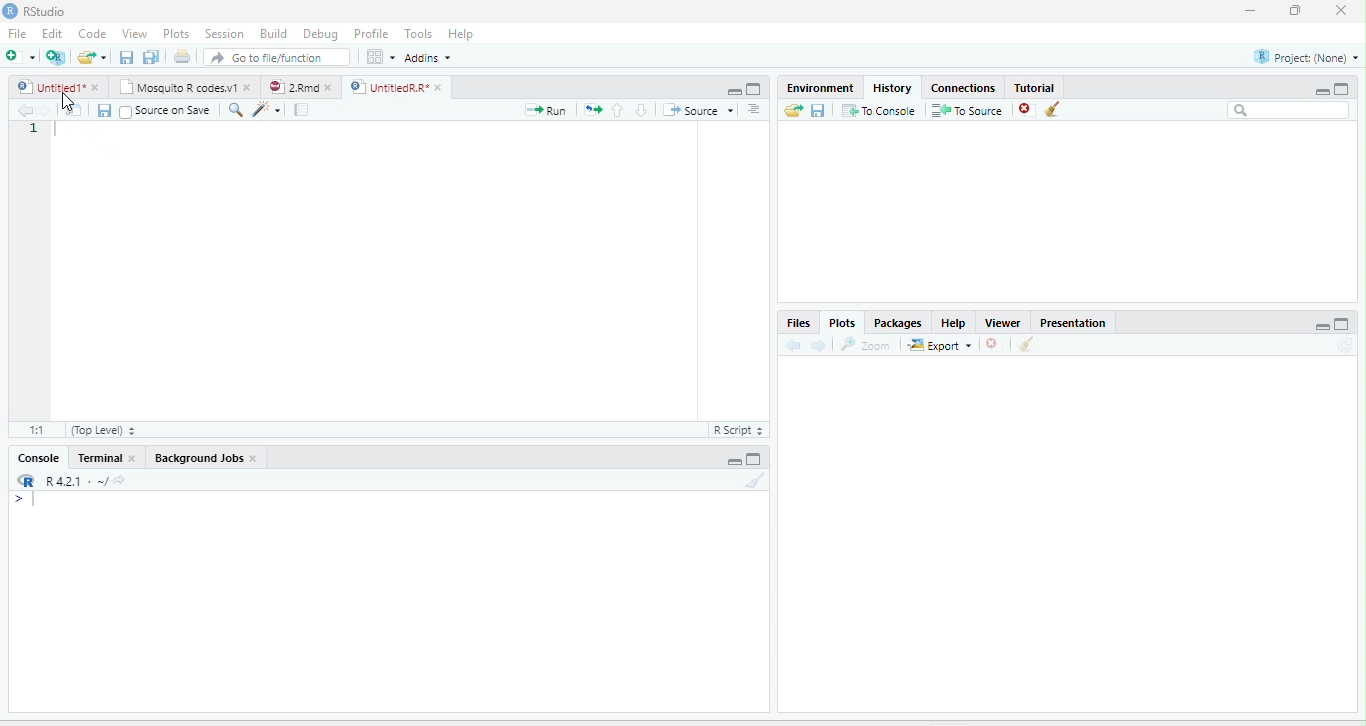 The height and width of the screenshot is (726, 1366). I want to click on To Console, so click(878, 110).